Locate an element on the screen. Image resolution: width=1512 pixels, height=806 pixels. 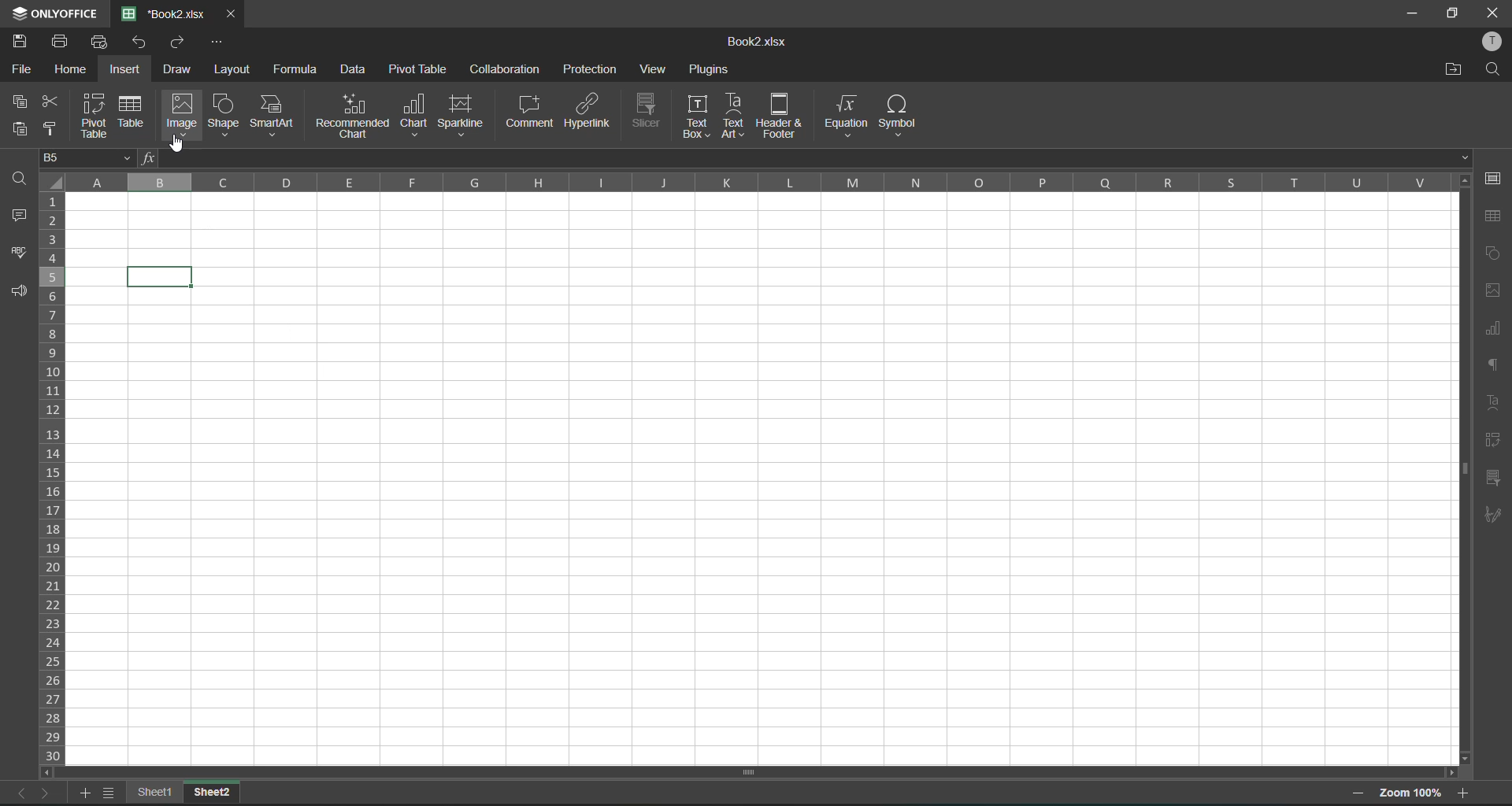
customize quick access toolbar is located at coordinates (217, 43).